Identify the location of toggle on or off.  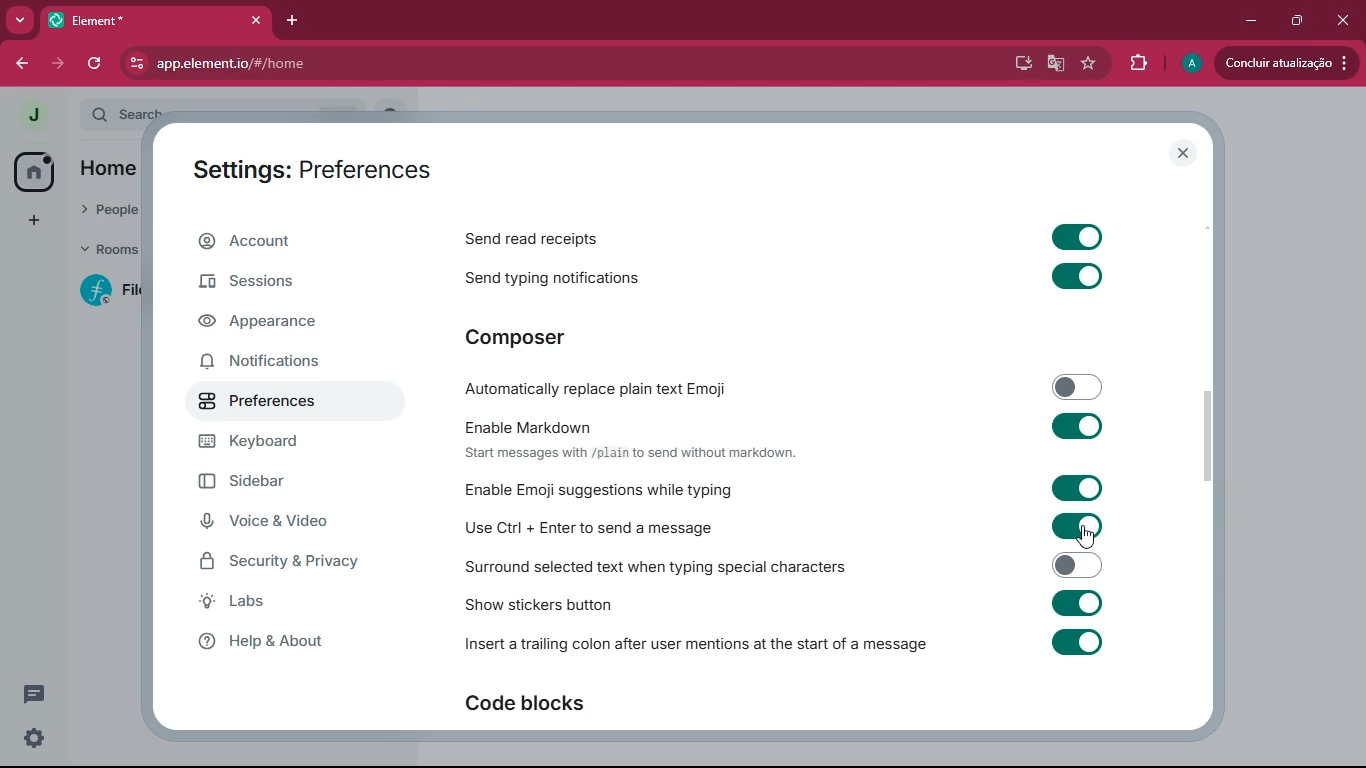
(1076, 602).